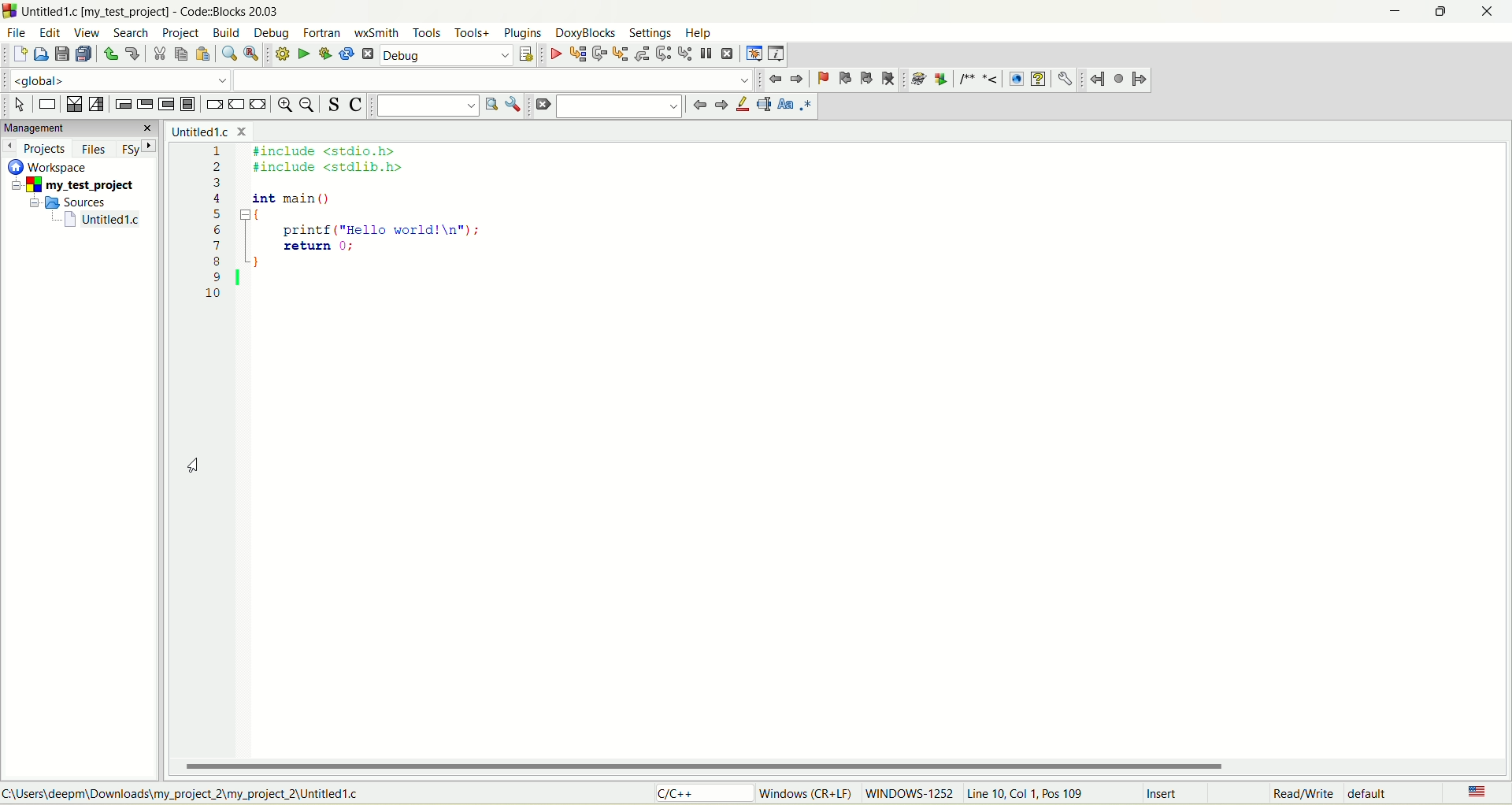  Describe the element at coordinates (17, 35) in the screenshot. I see `file` at that location.